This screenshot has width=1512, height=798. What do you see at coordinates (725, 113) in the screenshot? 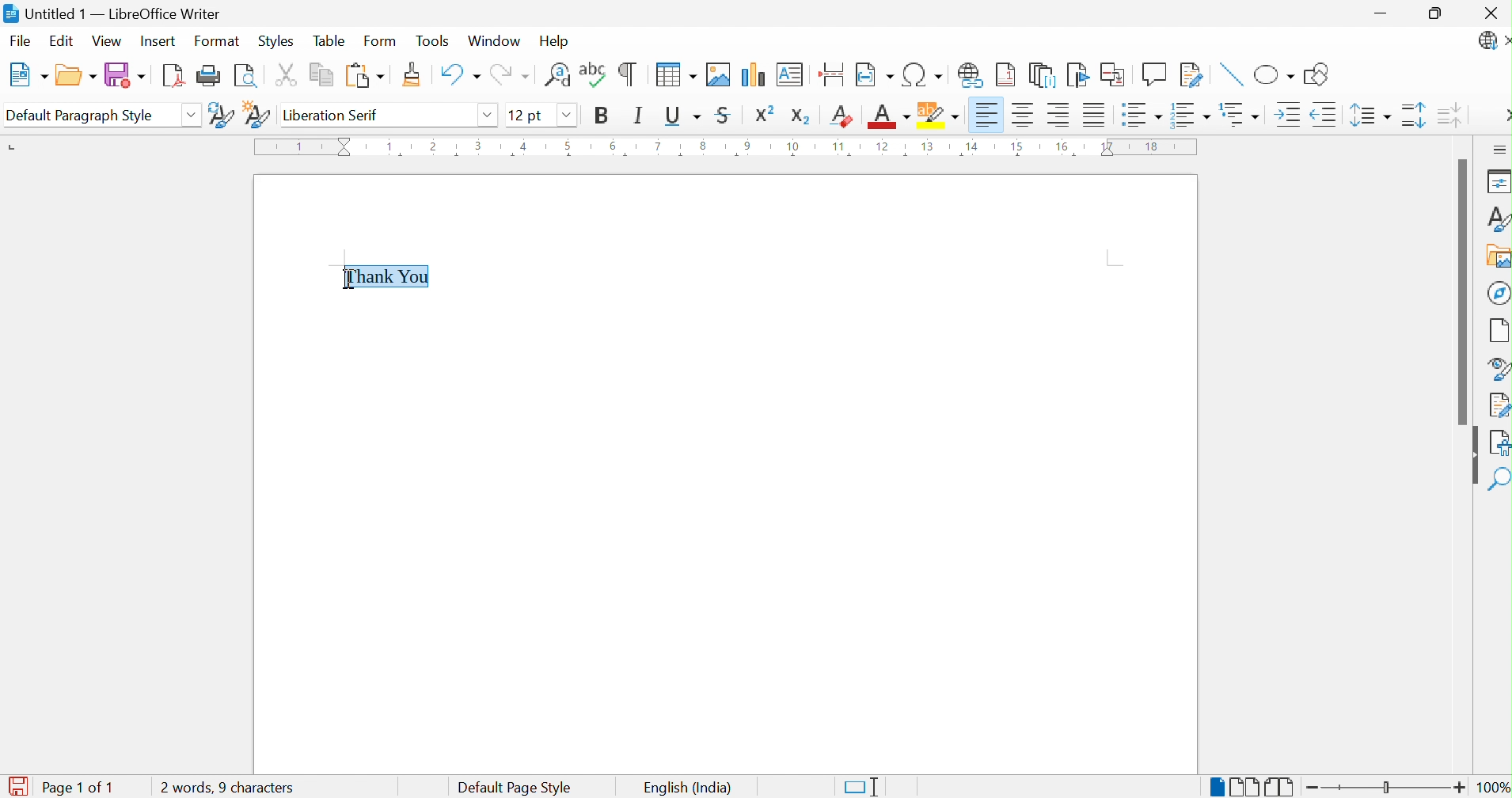
I see `Strikethrough` at bounding box center [725, 113].